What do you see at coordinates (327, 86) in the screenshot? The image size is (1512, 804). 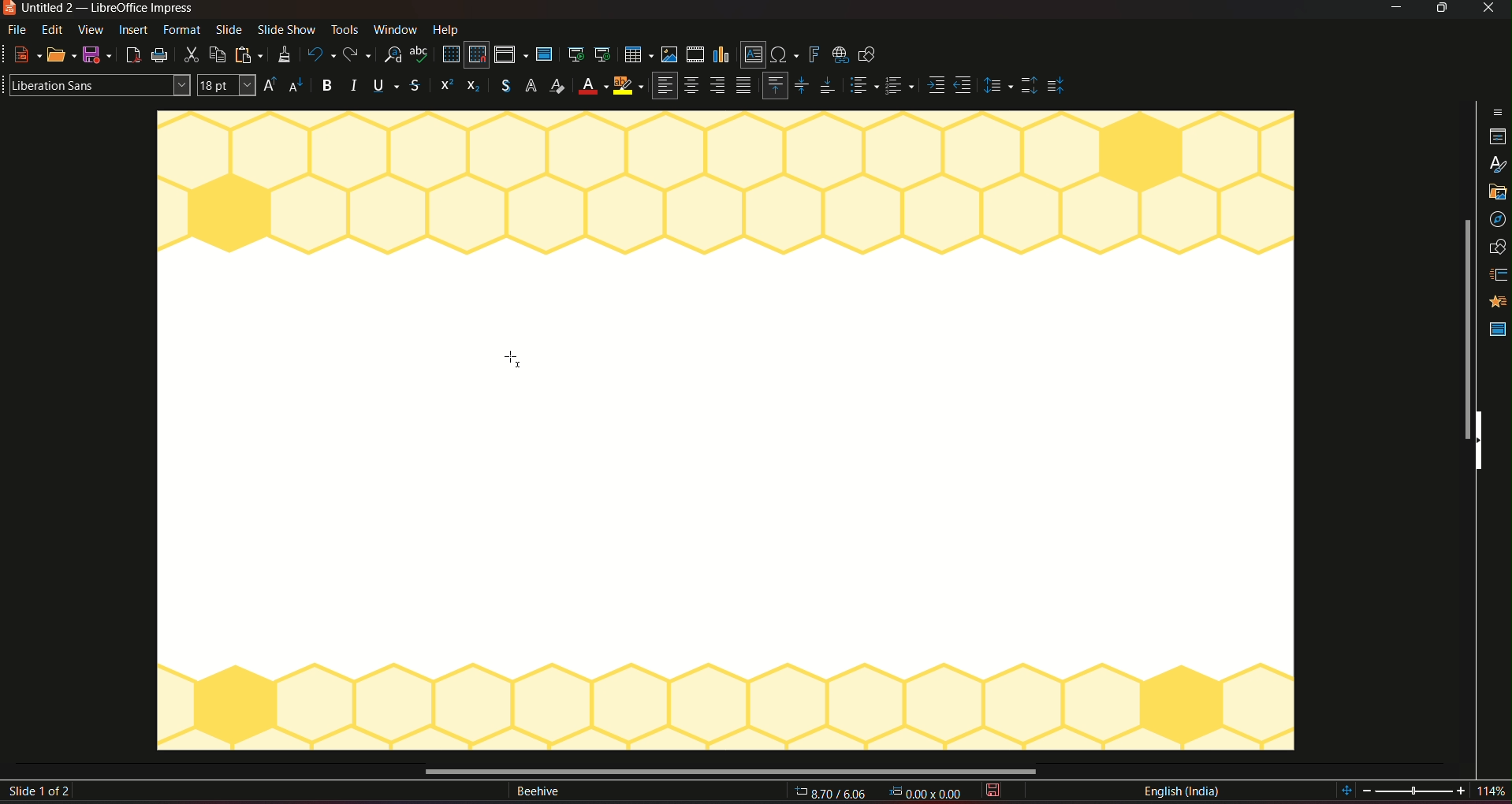 I see `Bold` at bounding box center [327, 86].